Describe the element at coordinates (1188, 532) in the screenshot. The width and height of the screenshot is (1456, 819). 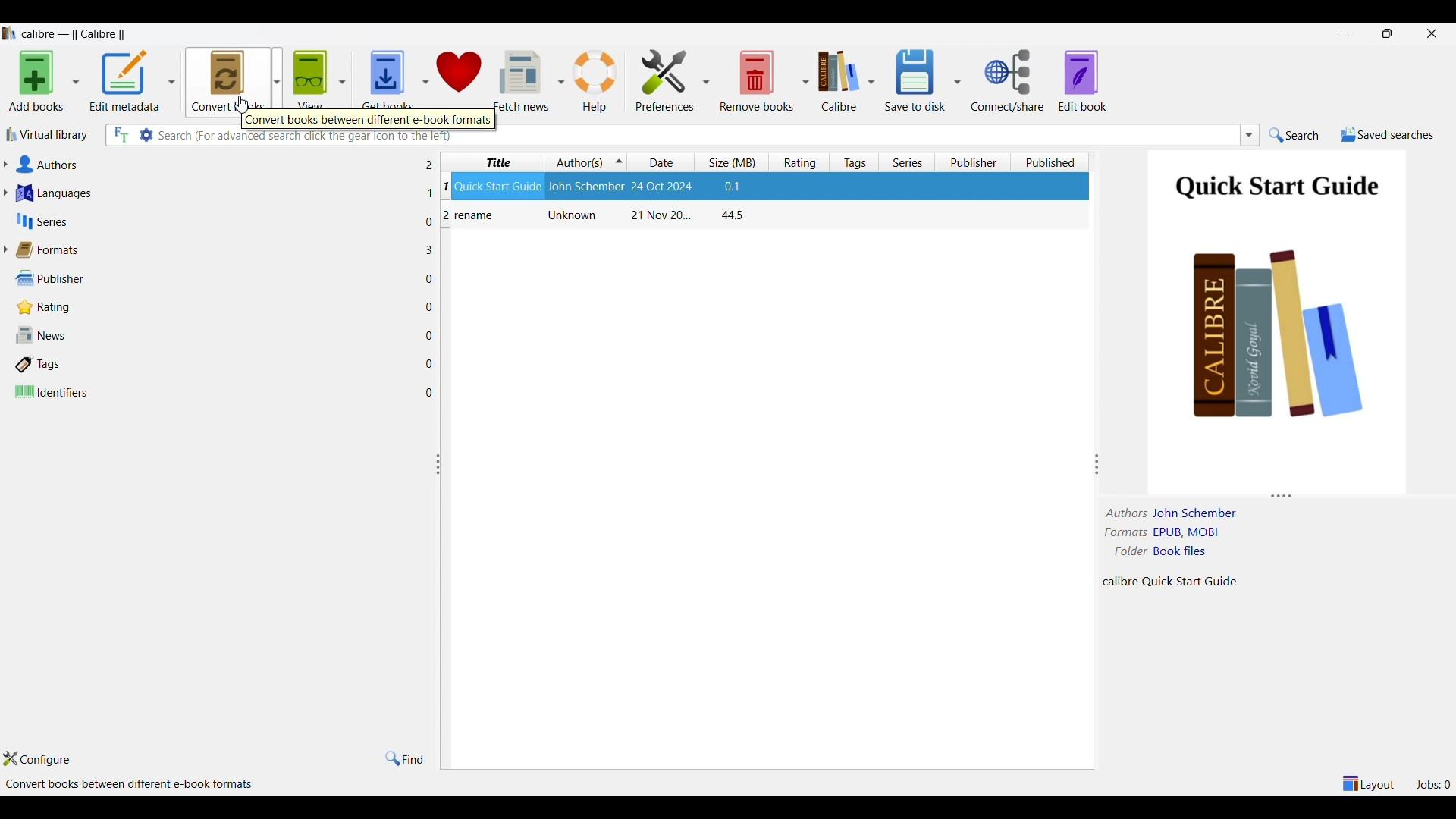
I see `File formats` at that location.